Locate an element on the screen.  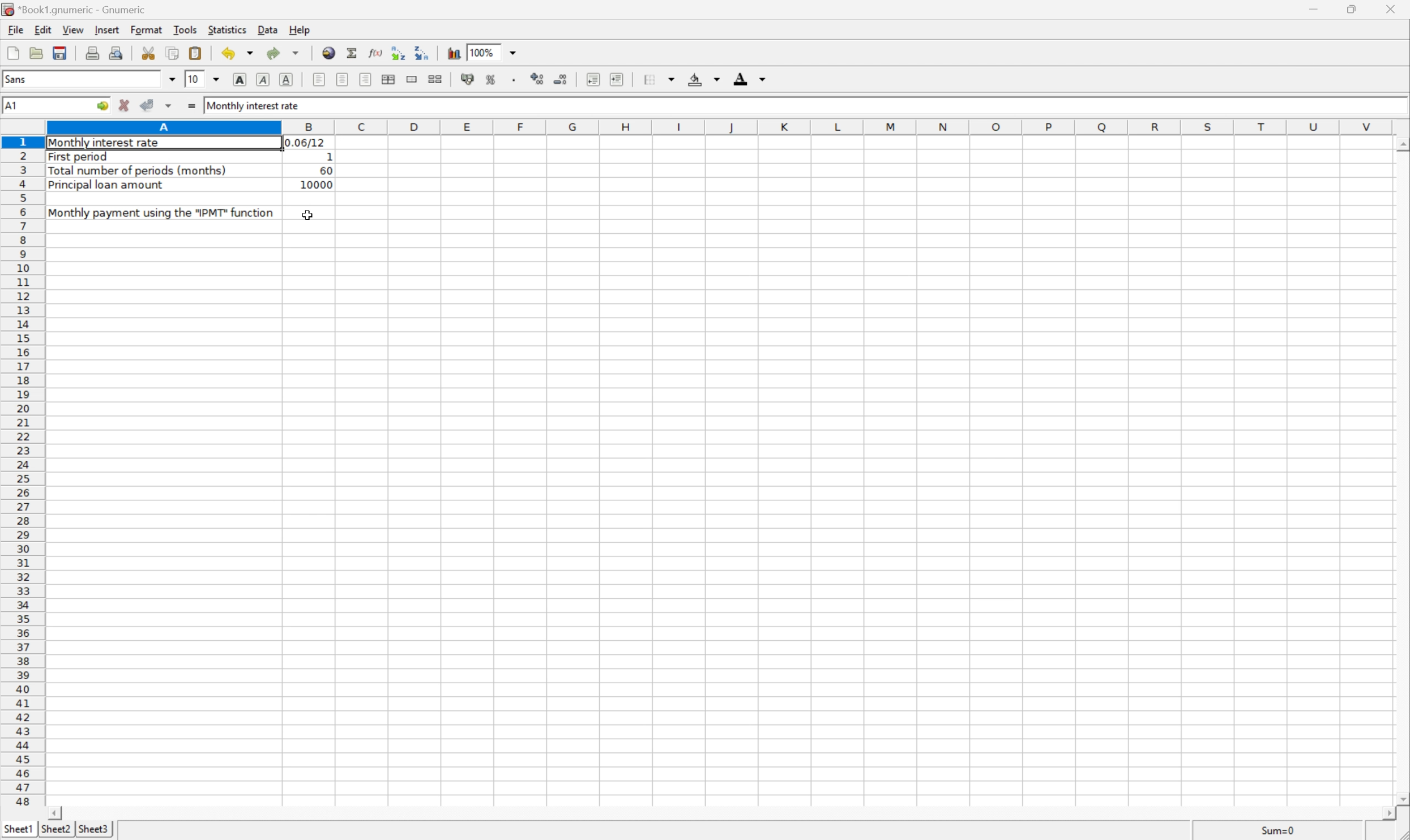
Paste clipboard is located at coordinates (195, 53).